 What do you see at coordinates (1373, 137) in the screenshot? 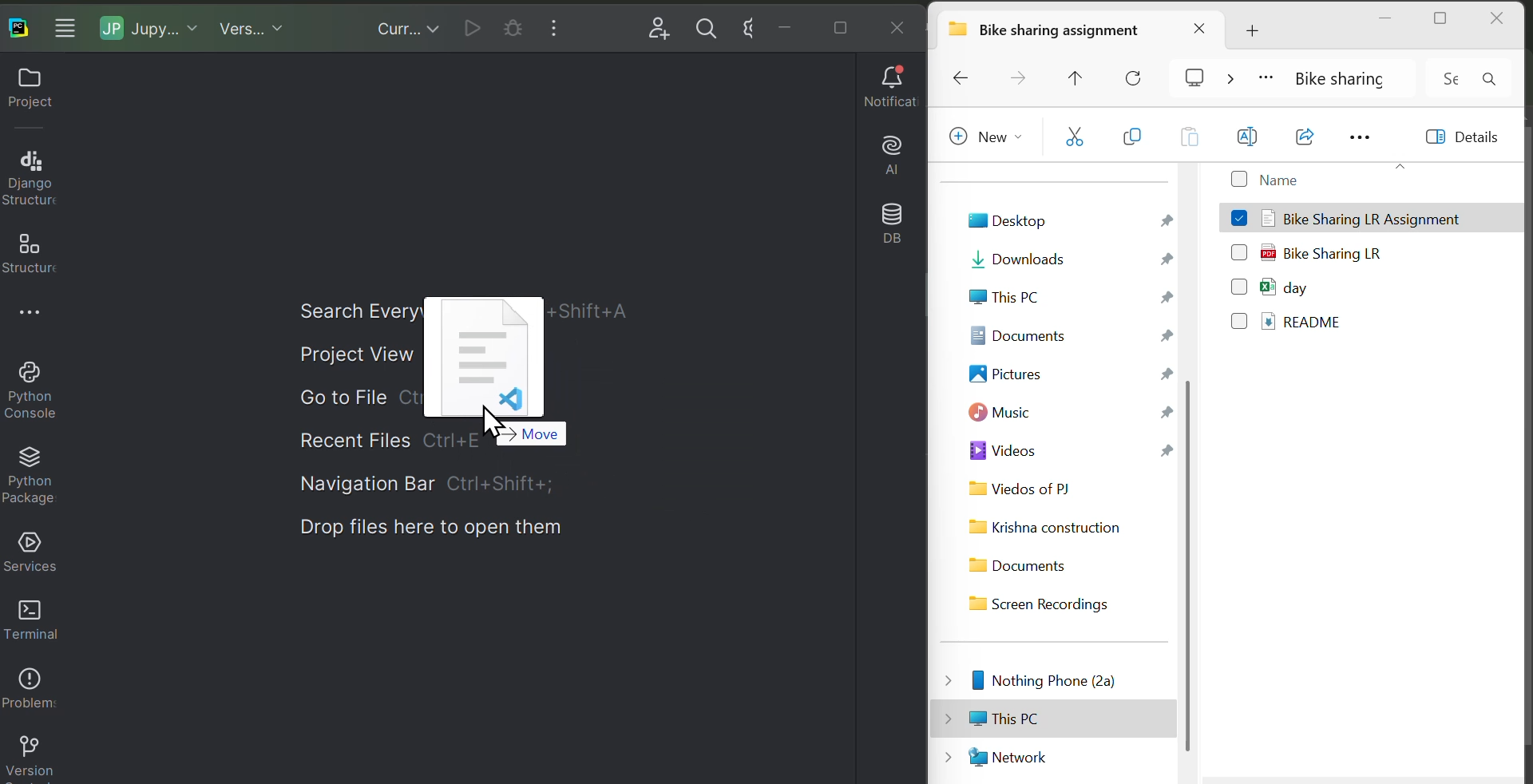
I see `More options` at bounding box center [1373, 137].